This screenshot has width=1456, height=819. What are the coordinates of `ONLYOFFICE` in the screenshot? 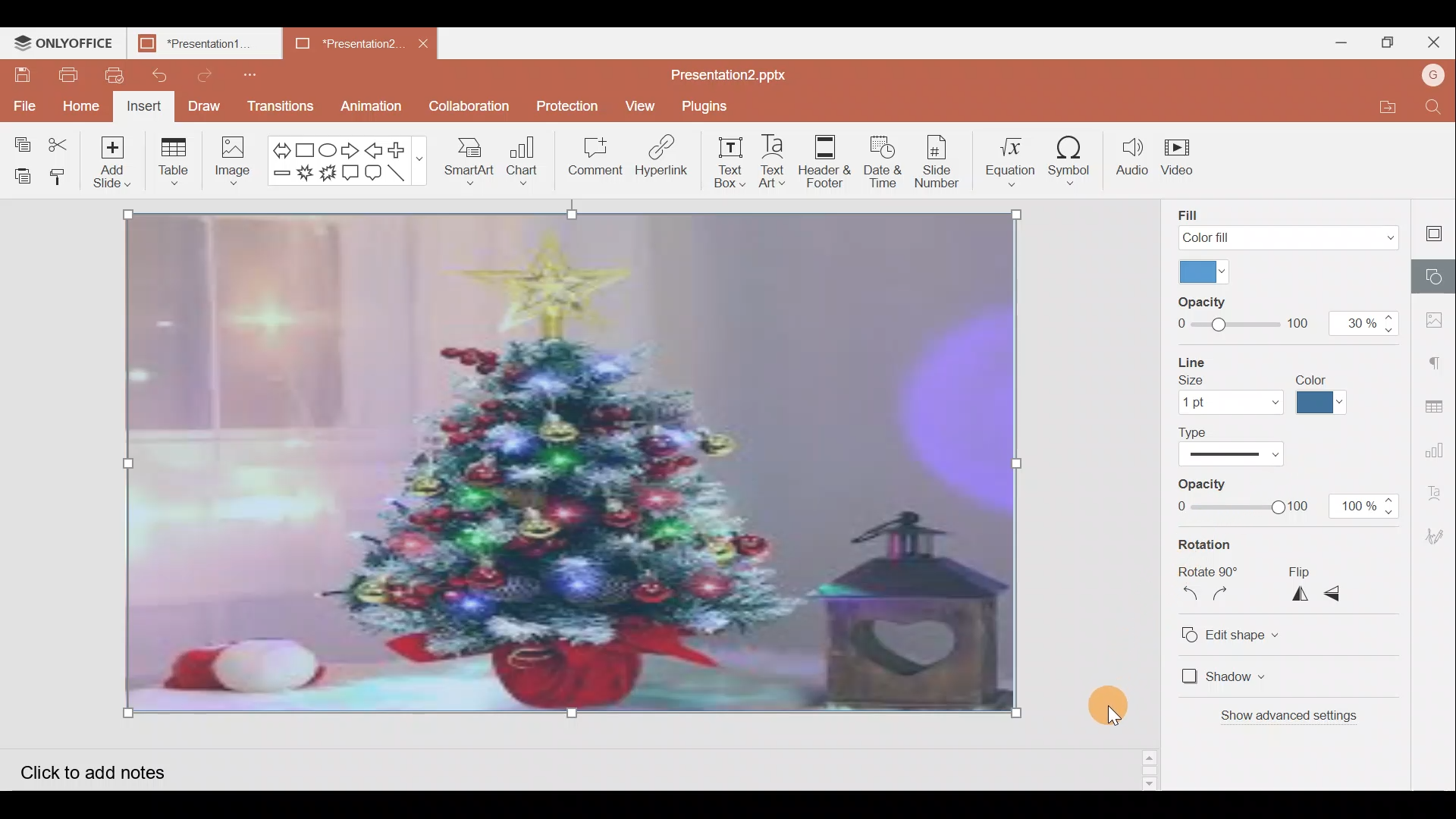 It's located at (64, 42).